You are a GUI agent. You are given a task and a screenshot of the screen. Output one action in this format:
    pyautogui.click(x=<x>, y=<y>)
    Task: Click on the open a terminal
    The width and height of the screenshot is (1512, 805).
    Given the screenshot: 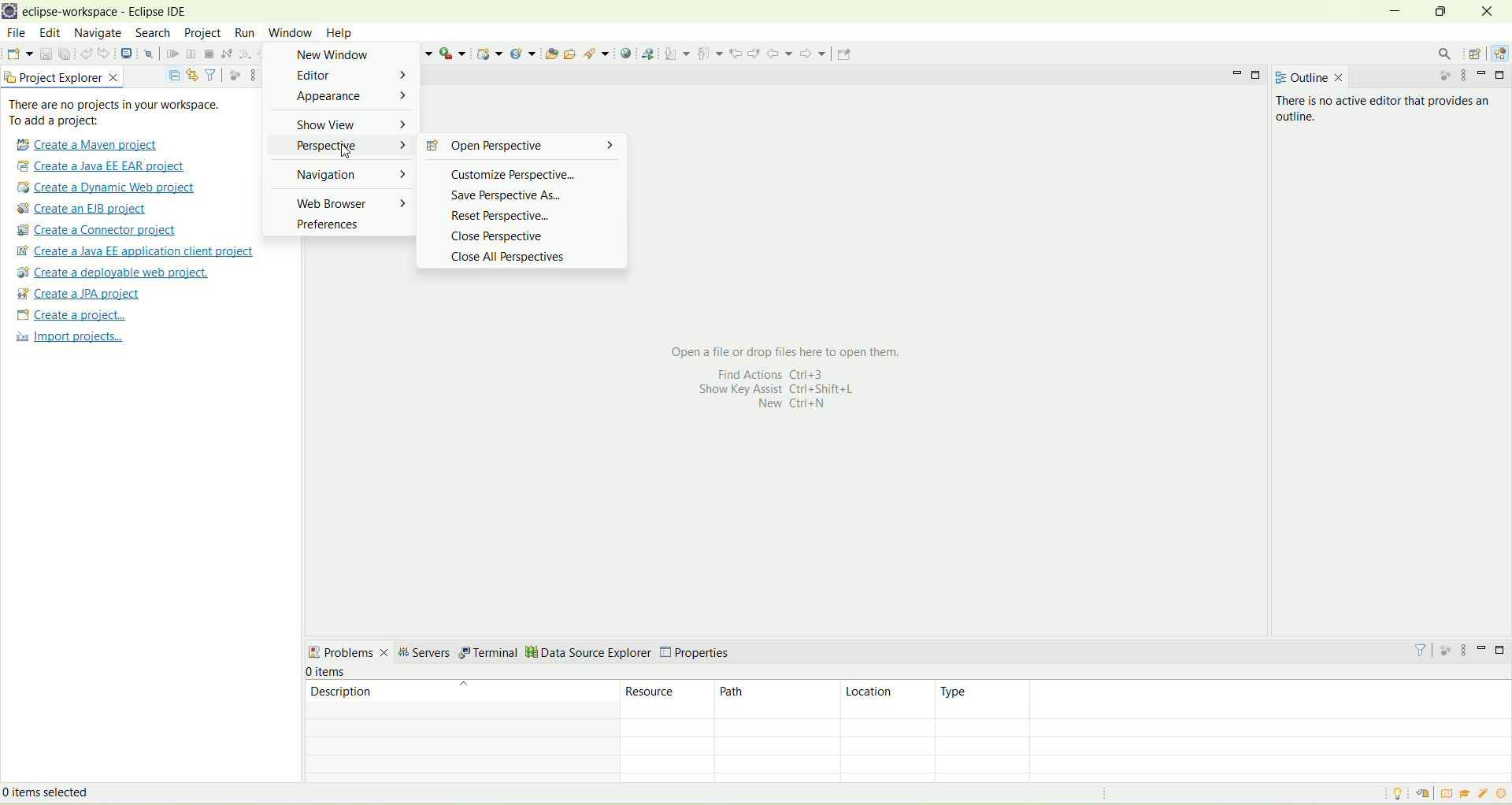 What is the action you would take?
    pyautogui.click(x=126, y=54)
    